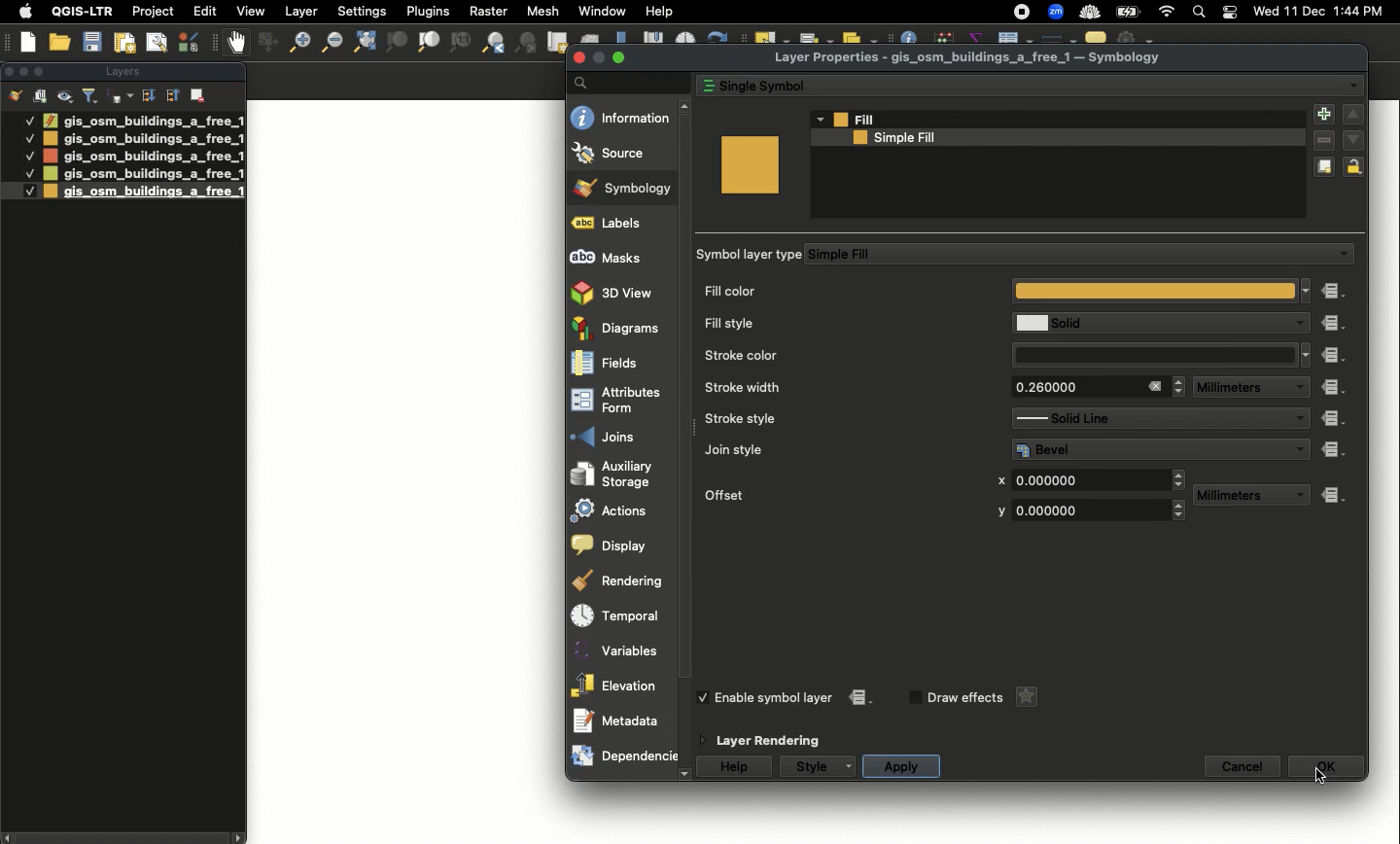 This screenshot has height=844, width=1400. What do you see at coordinates (1324, 142) in the screenshot?
I see `Remove` at bounding box center [1324, 142].